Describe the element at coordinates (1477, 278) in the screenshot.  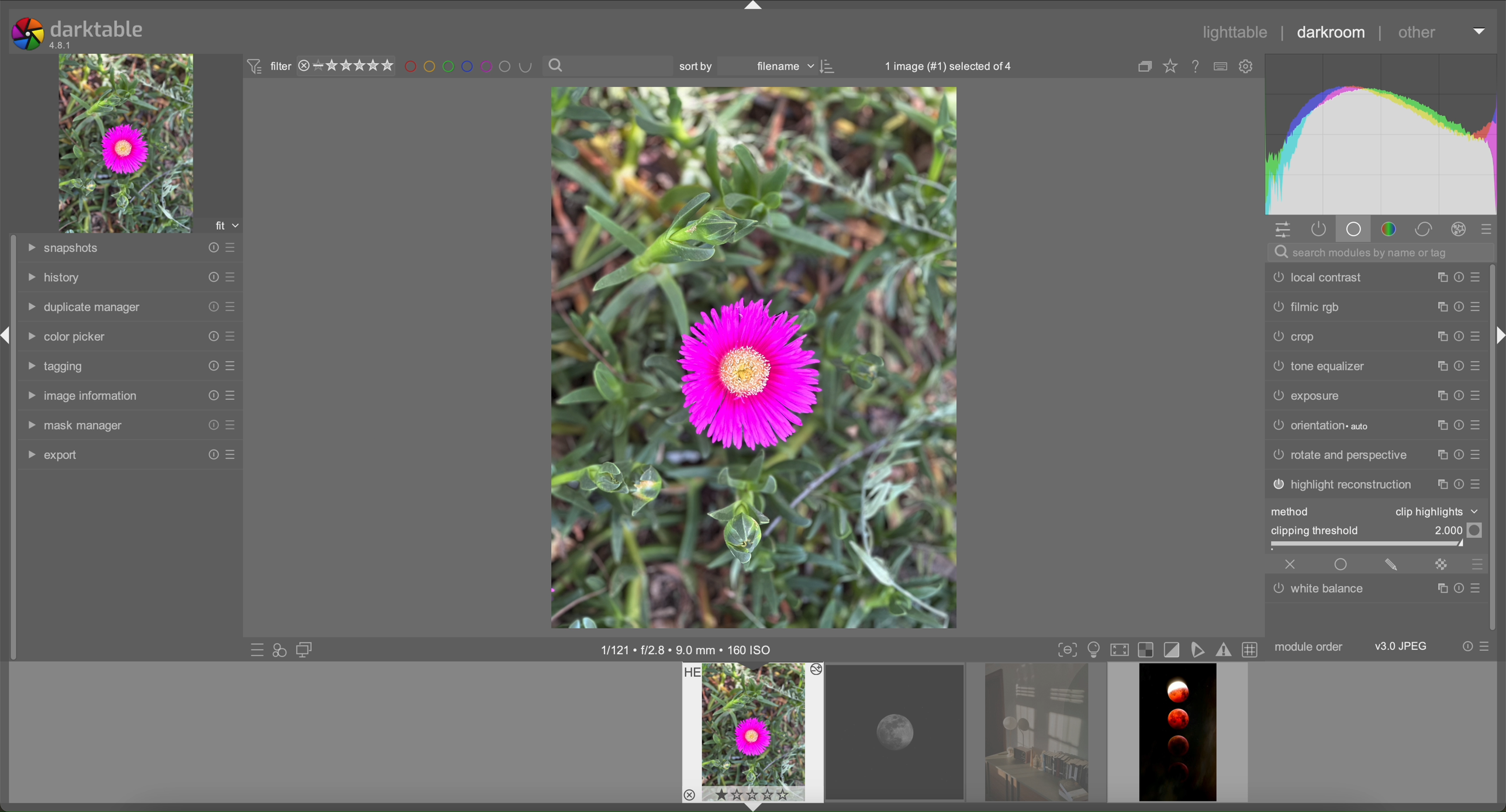
I see `presets` at that location.